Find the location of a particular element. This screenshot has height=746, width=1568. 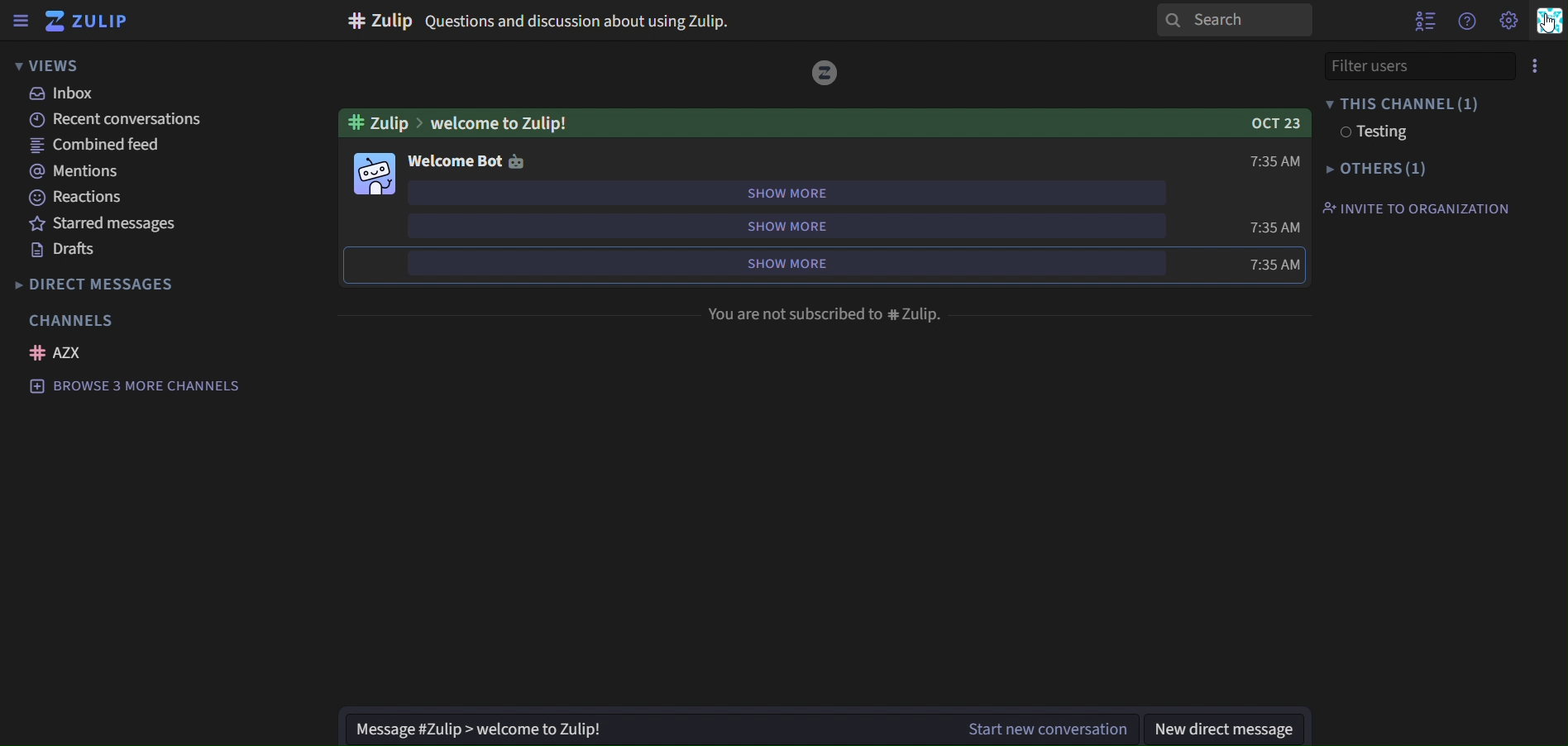

directmessages is located at coordinates (127, 284).